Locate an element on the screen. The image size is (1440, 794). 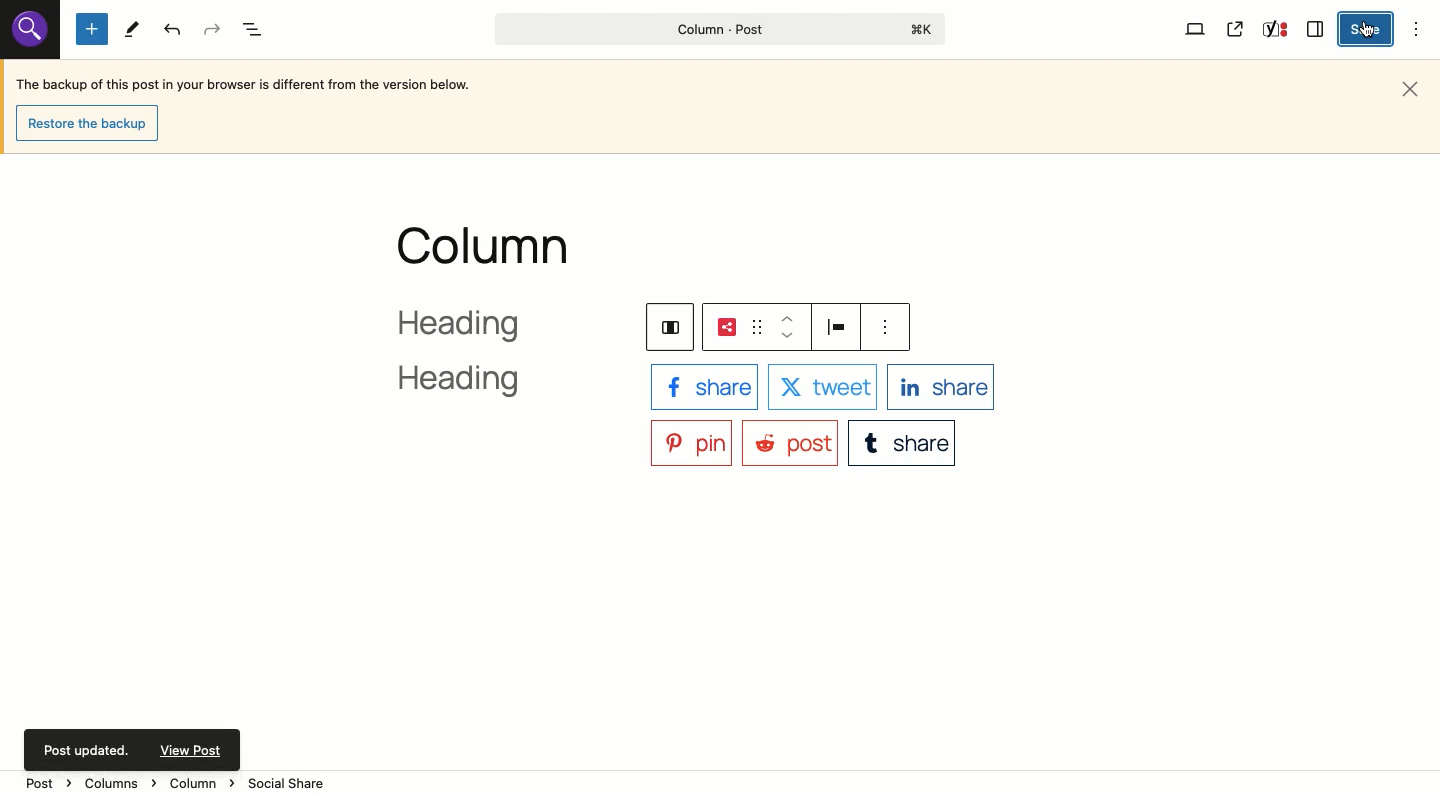
X is located at coordinates (821, 388).